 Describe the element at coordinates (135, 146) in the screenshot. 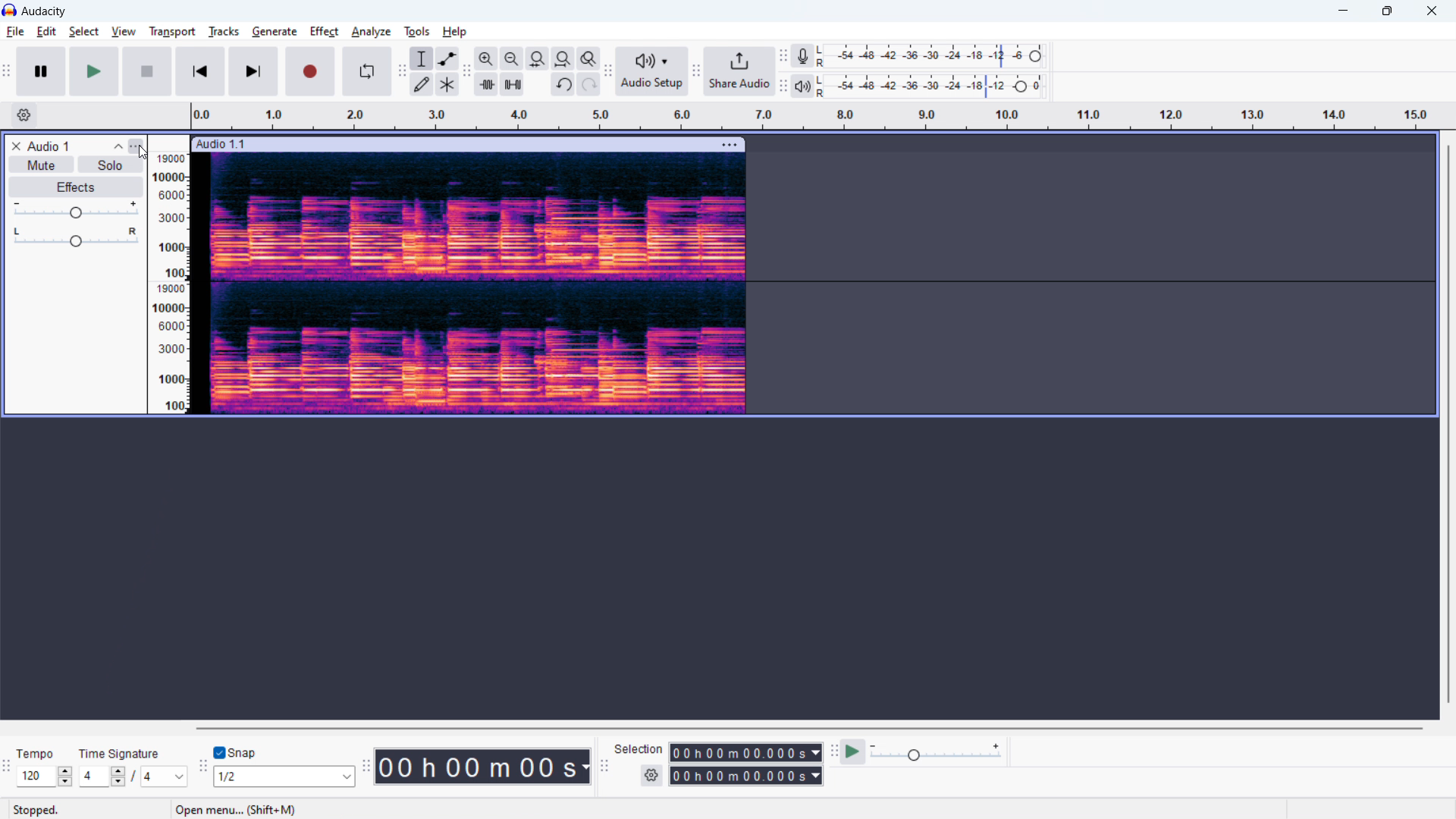

I see `track control panel menu` at that location.